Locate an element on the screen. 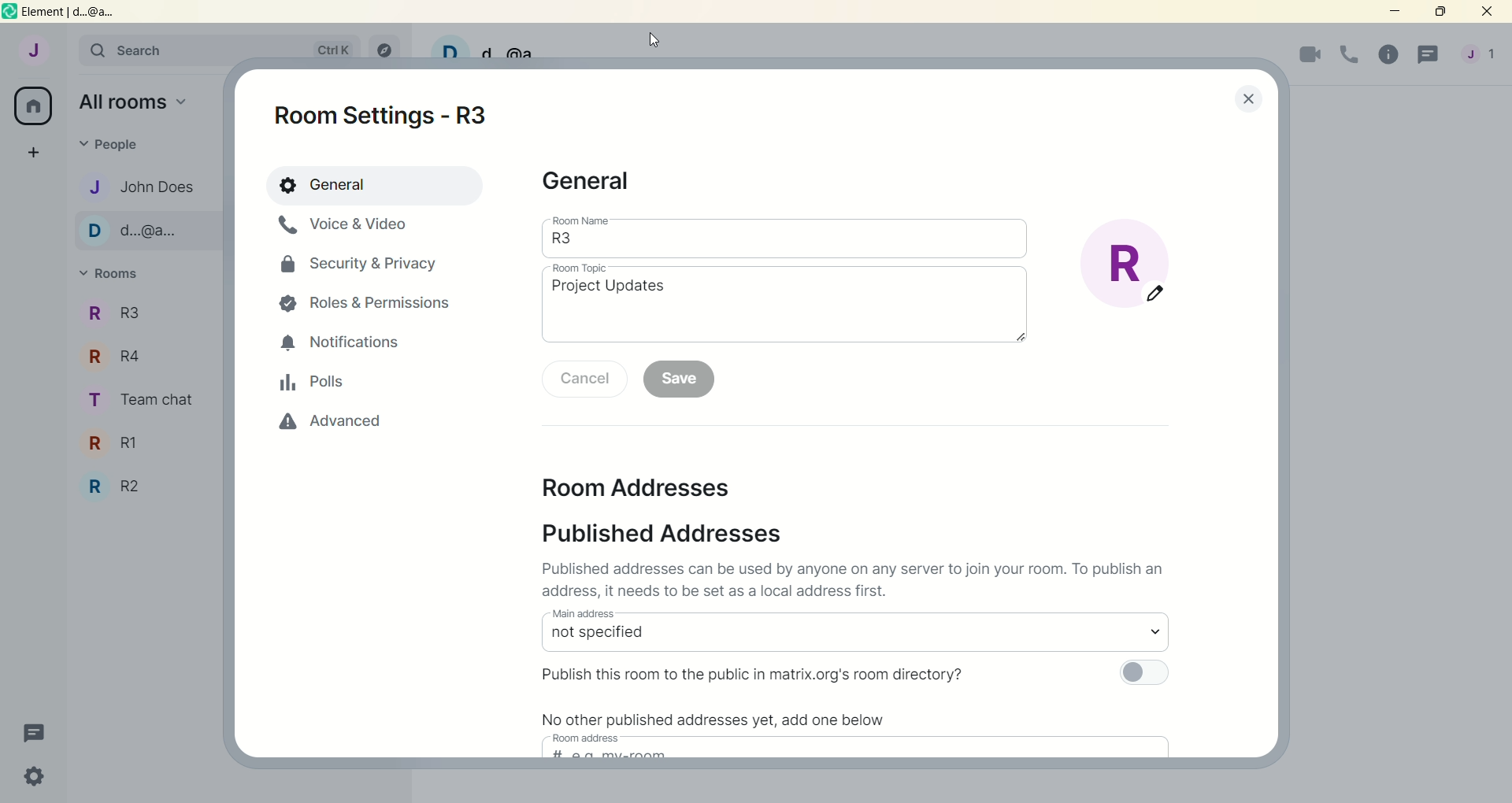 The height and width of the screenshot is (803, 1512). threads is located at coordinates (39, 734).